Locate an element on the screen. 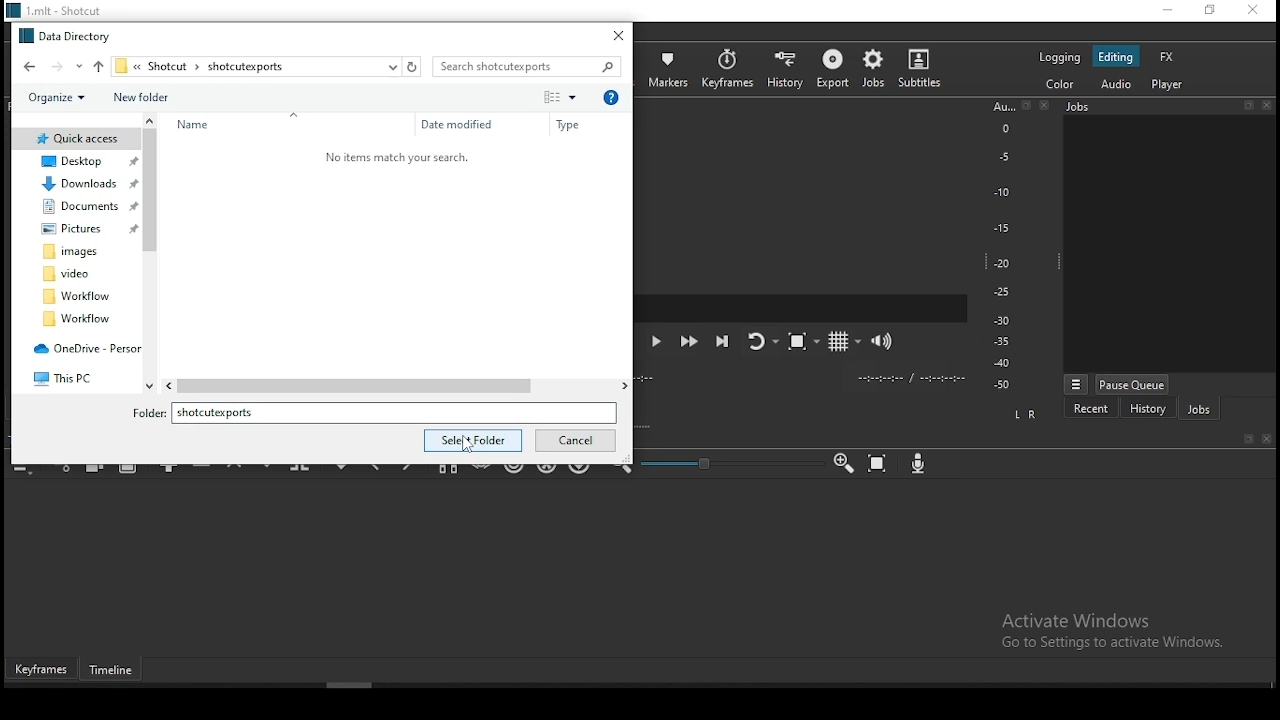 The image size is (1280, 720). logging is located at coordinates (1058, 57).